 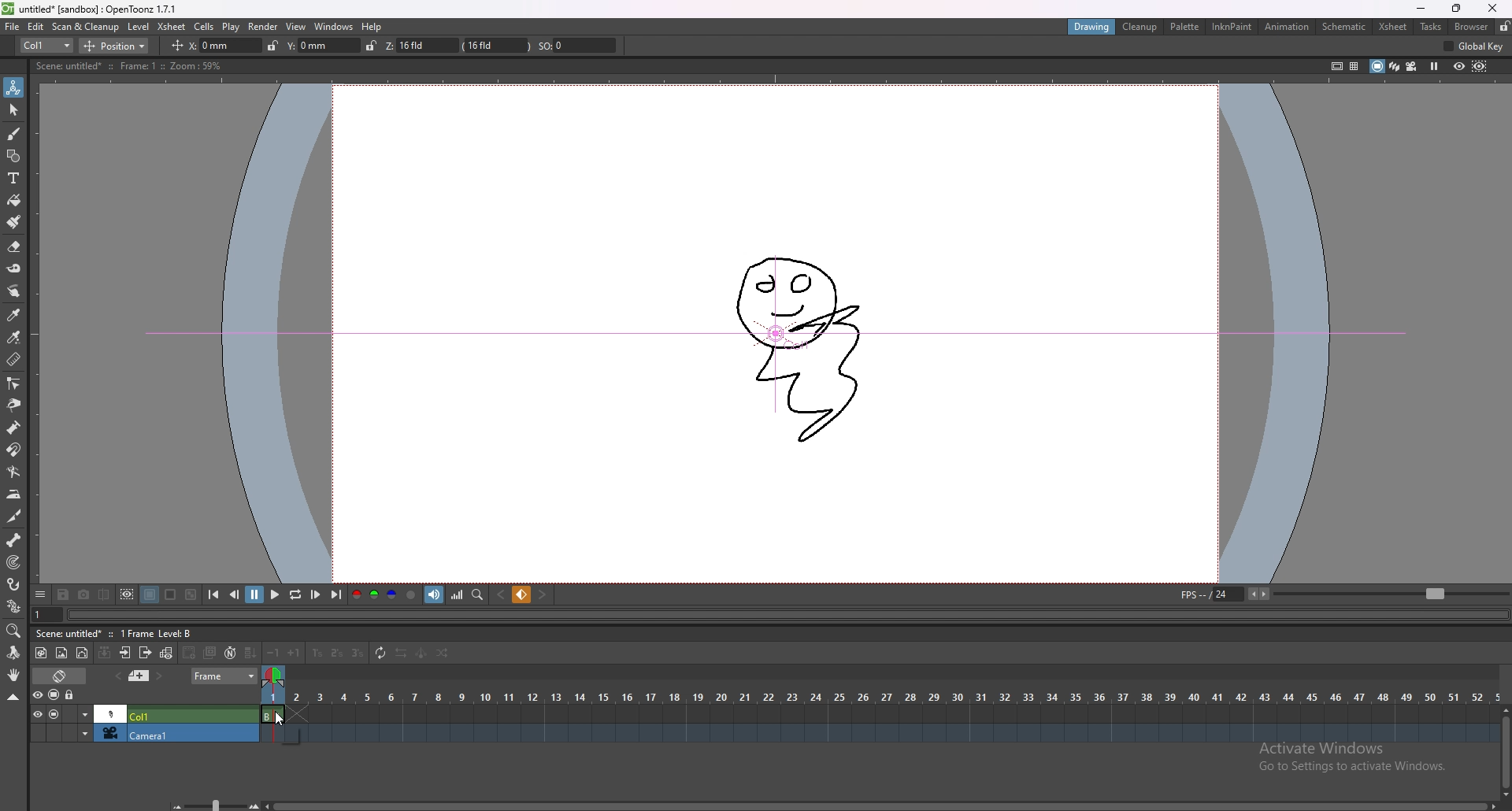 I want to click on close sub xsheet, so click(x=145, y=653).